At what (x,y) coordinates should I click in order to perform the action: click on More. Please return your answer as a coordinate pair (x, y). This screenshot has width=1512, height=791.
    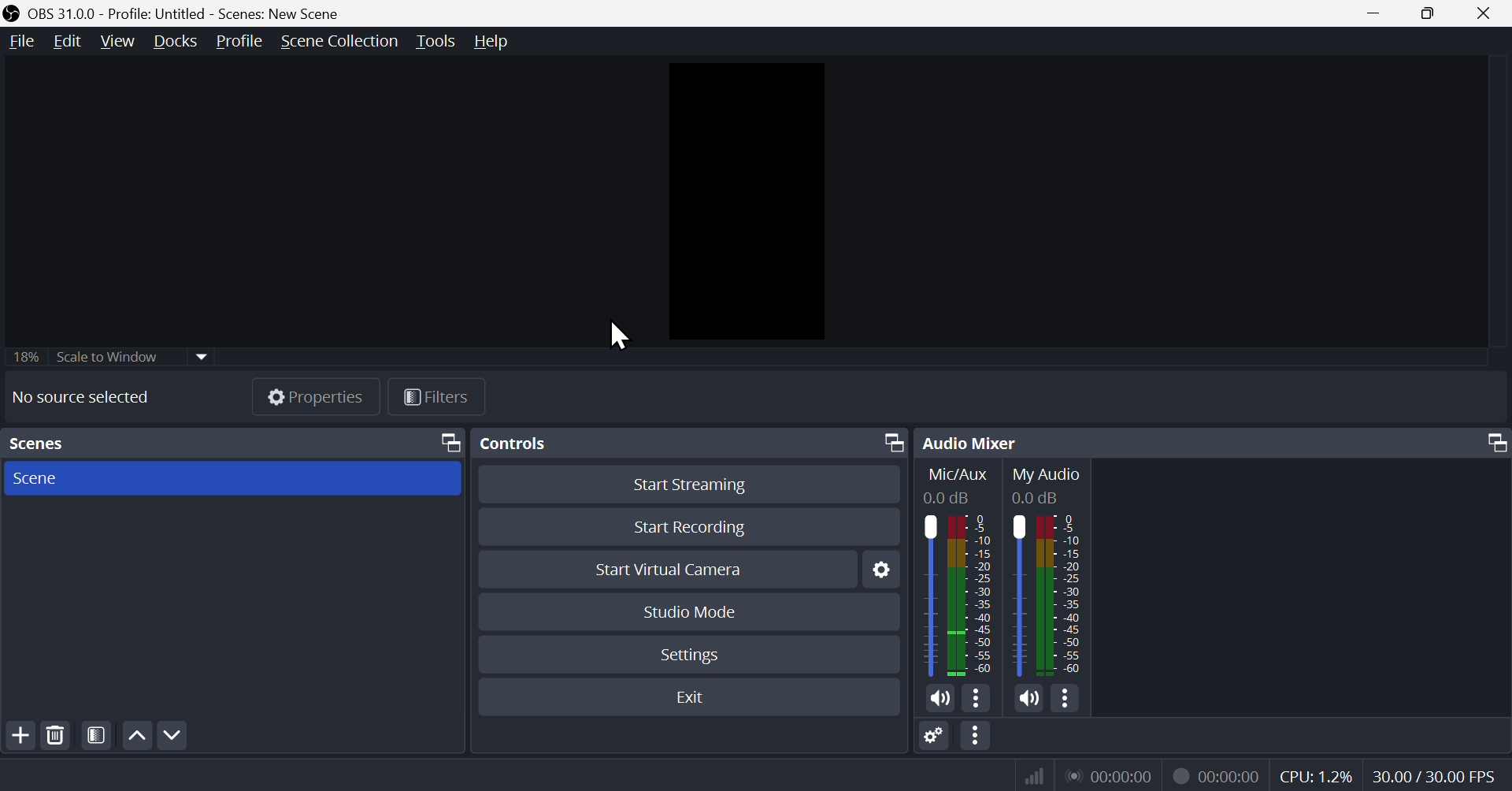
    Looking at the image, I should click on (977, 696).